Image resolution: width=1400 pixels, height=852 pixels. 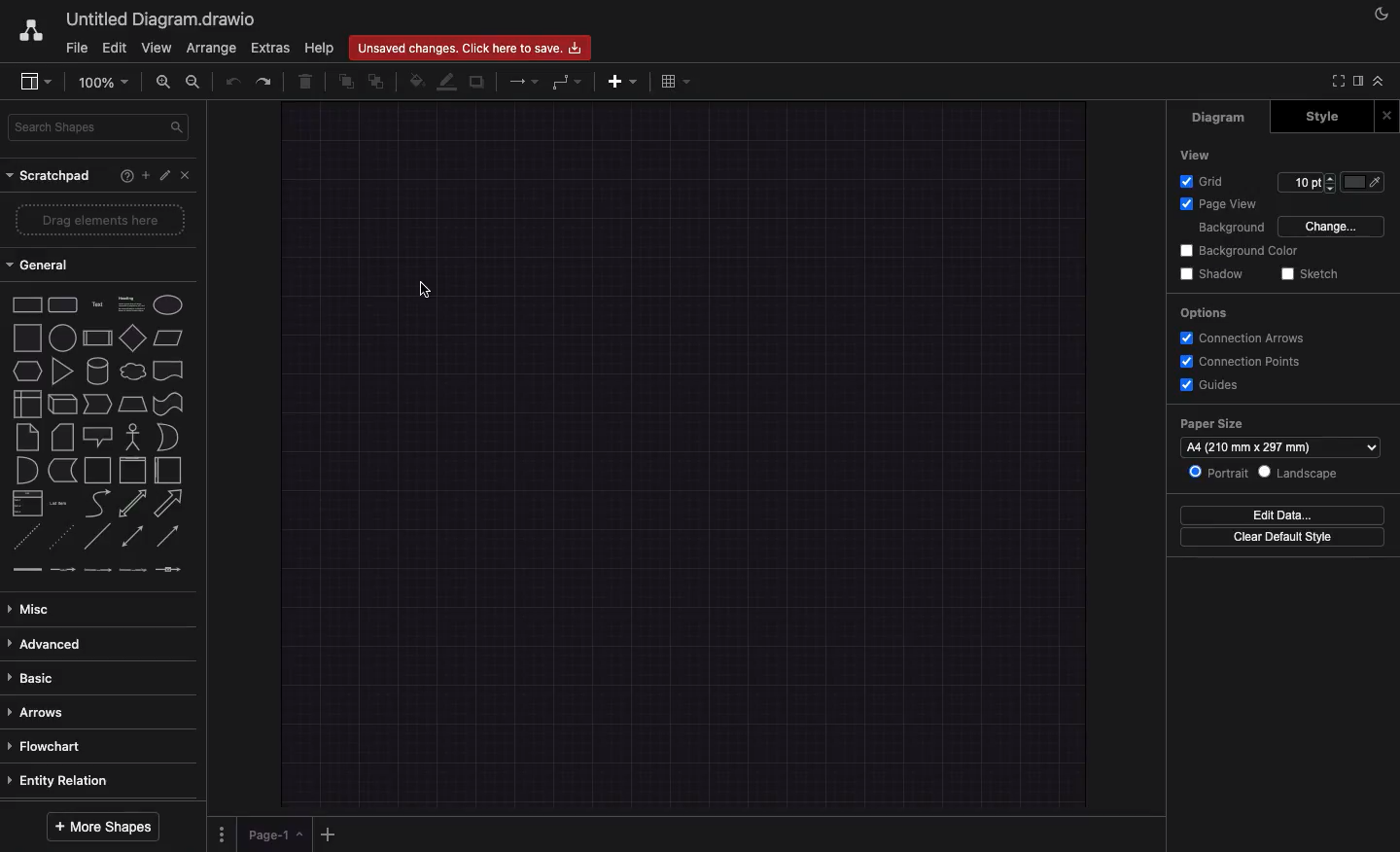 What do you see at coordinates (100, 127) in the screenshot?
I see `Search shapes` at bounding box center [100, 127].